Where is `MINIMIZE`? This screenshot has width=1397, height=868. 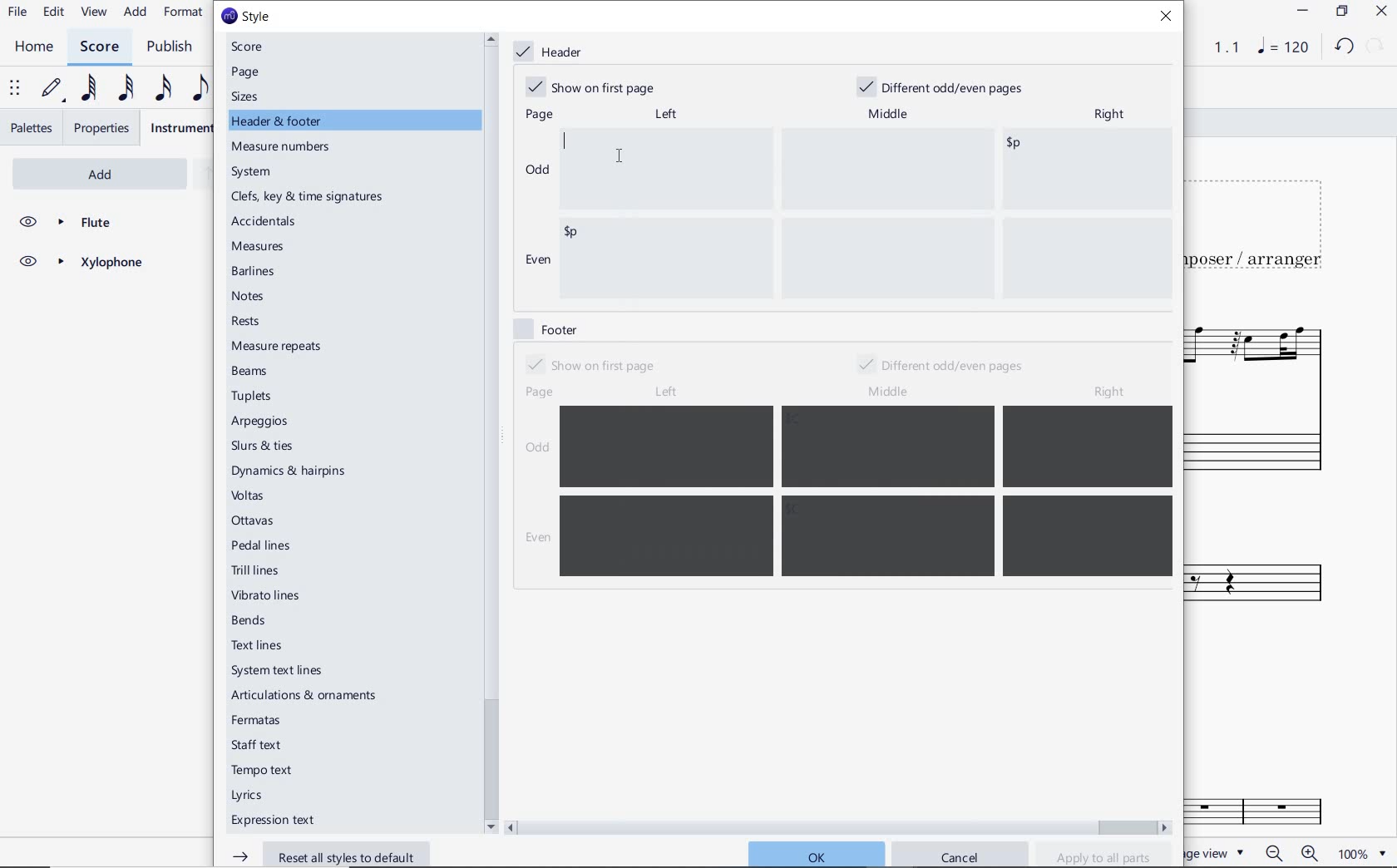
MINIMIZE is located at coordinates (1301, 11).